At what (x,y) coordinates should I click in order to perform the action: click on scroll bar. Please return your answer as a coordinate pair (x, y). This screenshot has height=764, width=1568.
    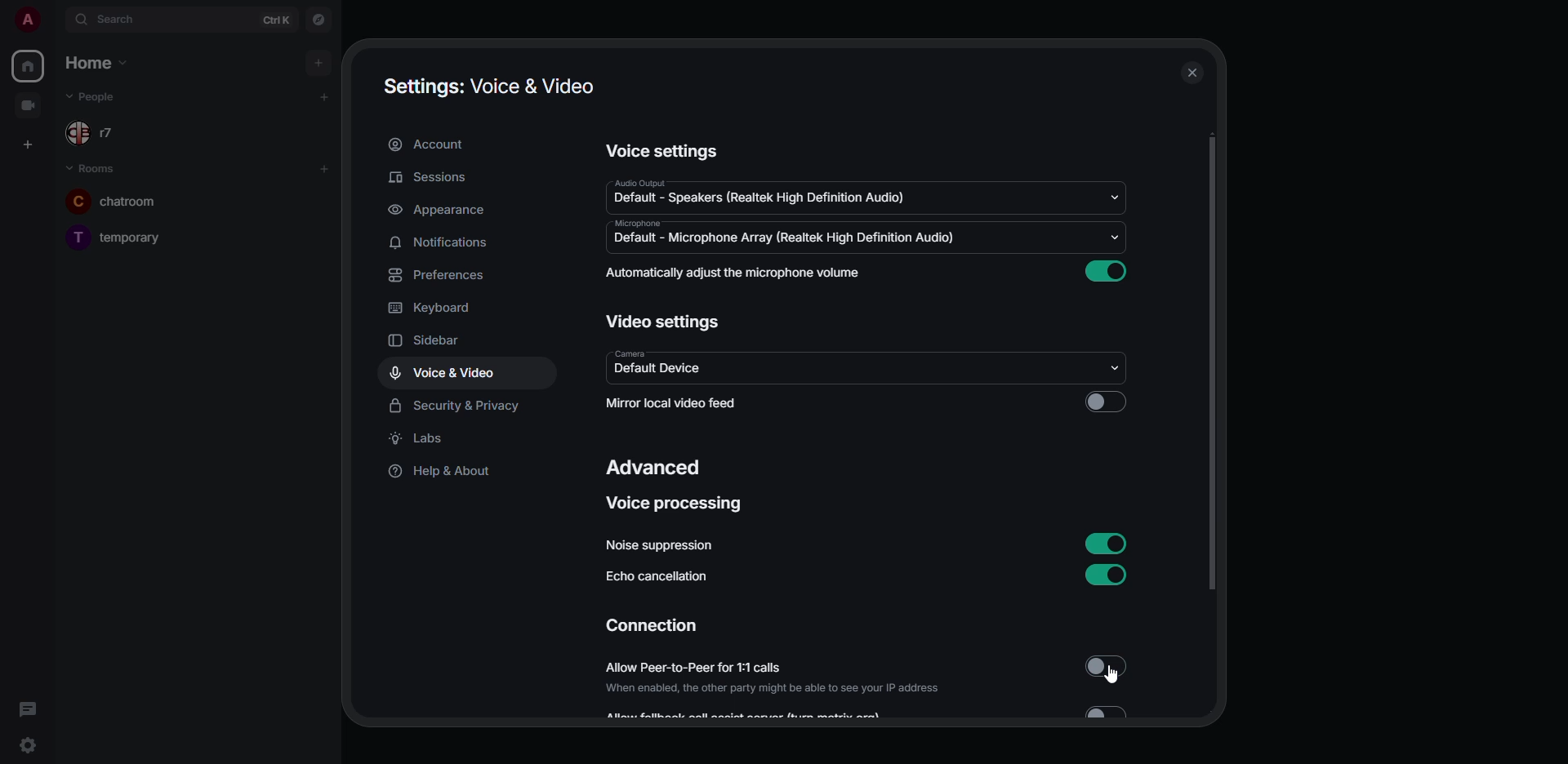
    Looking at the image, I should click on (1212, 365).